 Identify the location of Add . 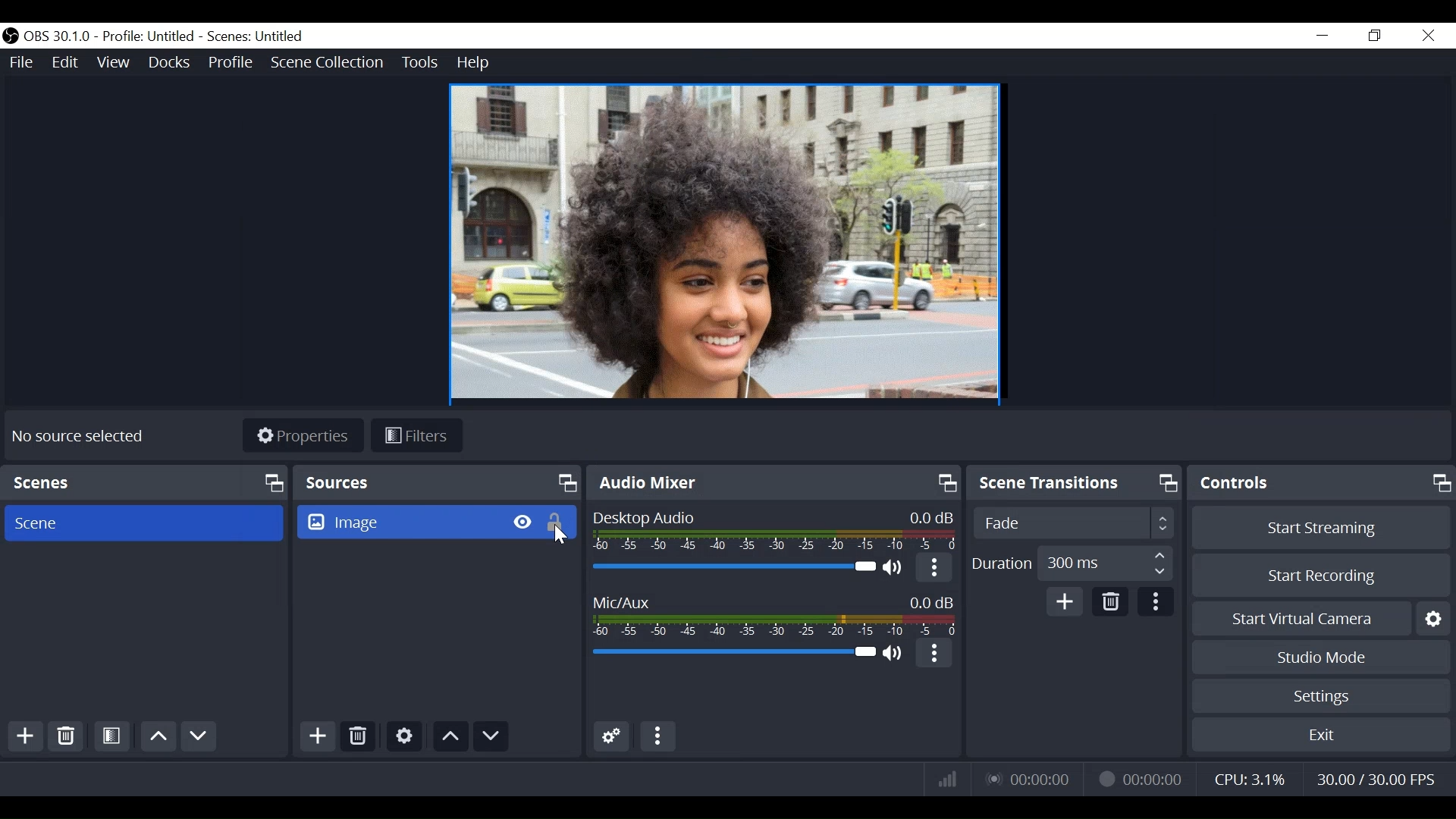
(318, 739).